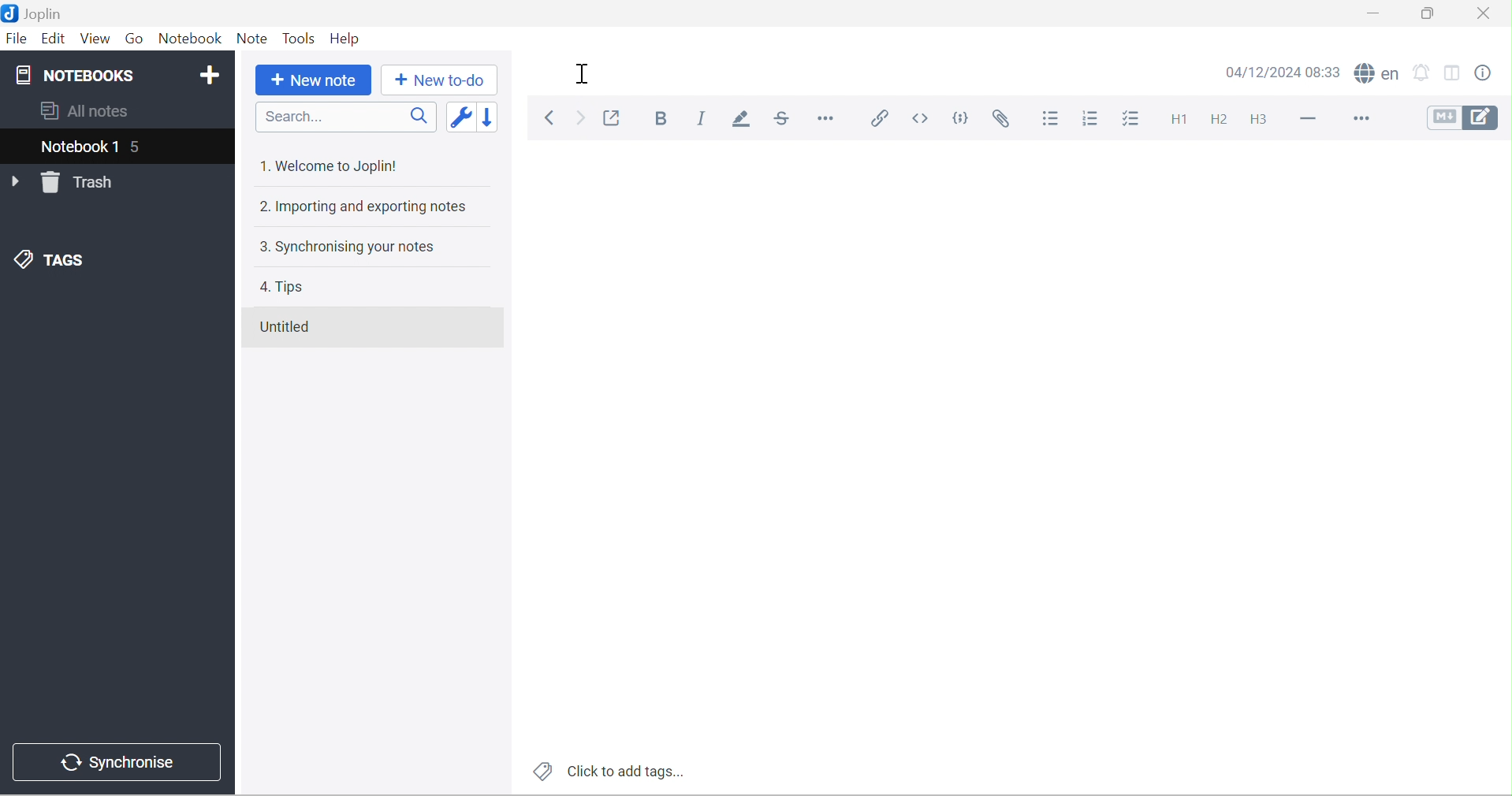 This screenshot has height=796, width=1512. Describe the element at coordinates (582, 117) in the screenshot. I see `Forward` at that location.